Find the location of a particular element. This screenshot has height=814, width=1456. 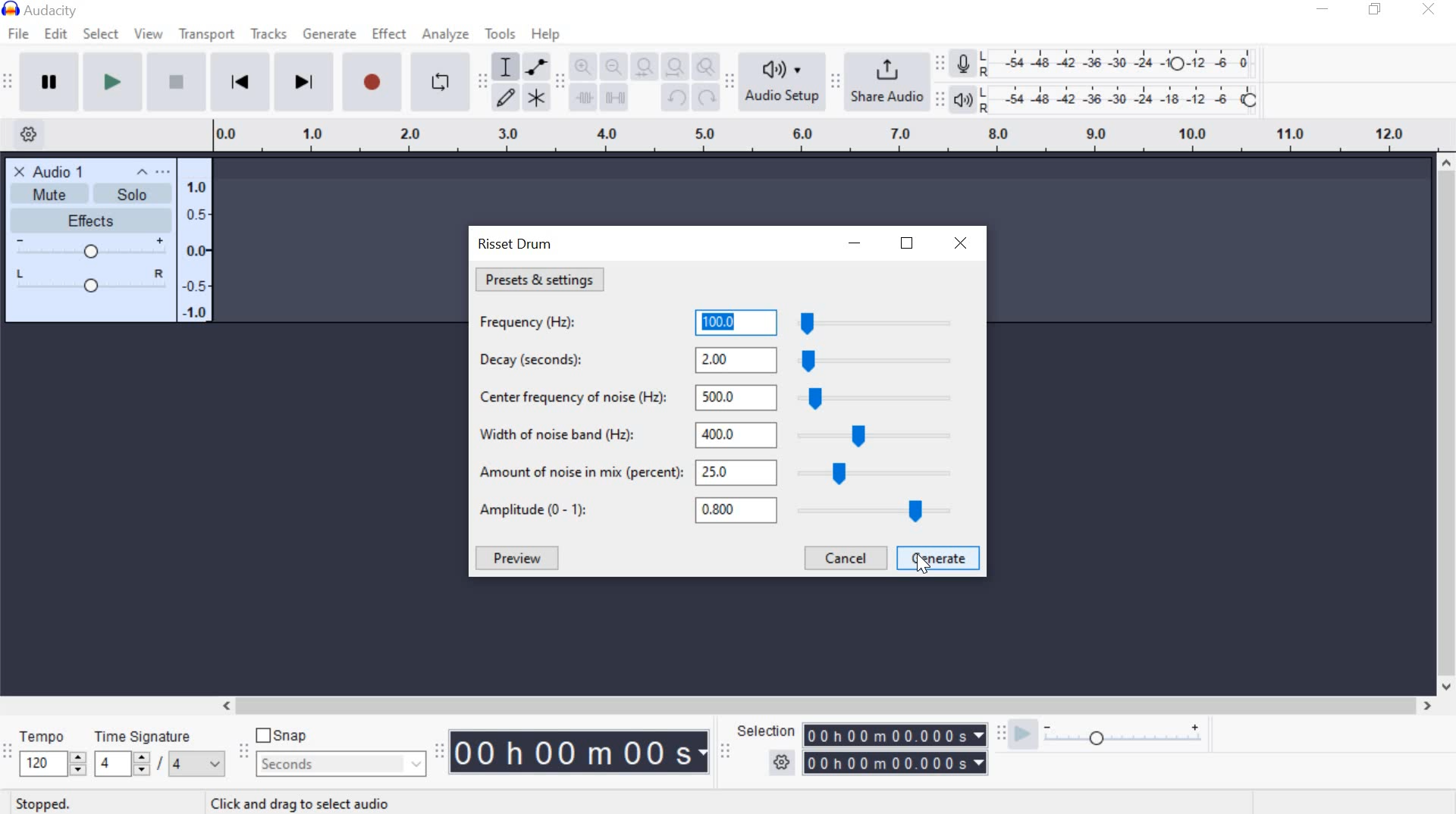

RESTORE DOWN is located at coordinates (906, 246).